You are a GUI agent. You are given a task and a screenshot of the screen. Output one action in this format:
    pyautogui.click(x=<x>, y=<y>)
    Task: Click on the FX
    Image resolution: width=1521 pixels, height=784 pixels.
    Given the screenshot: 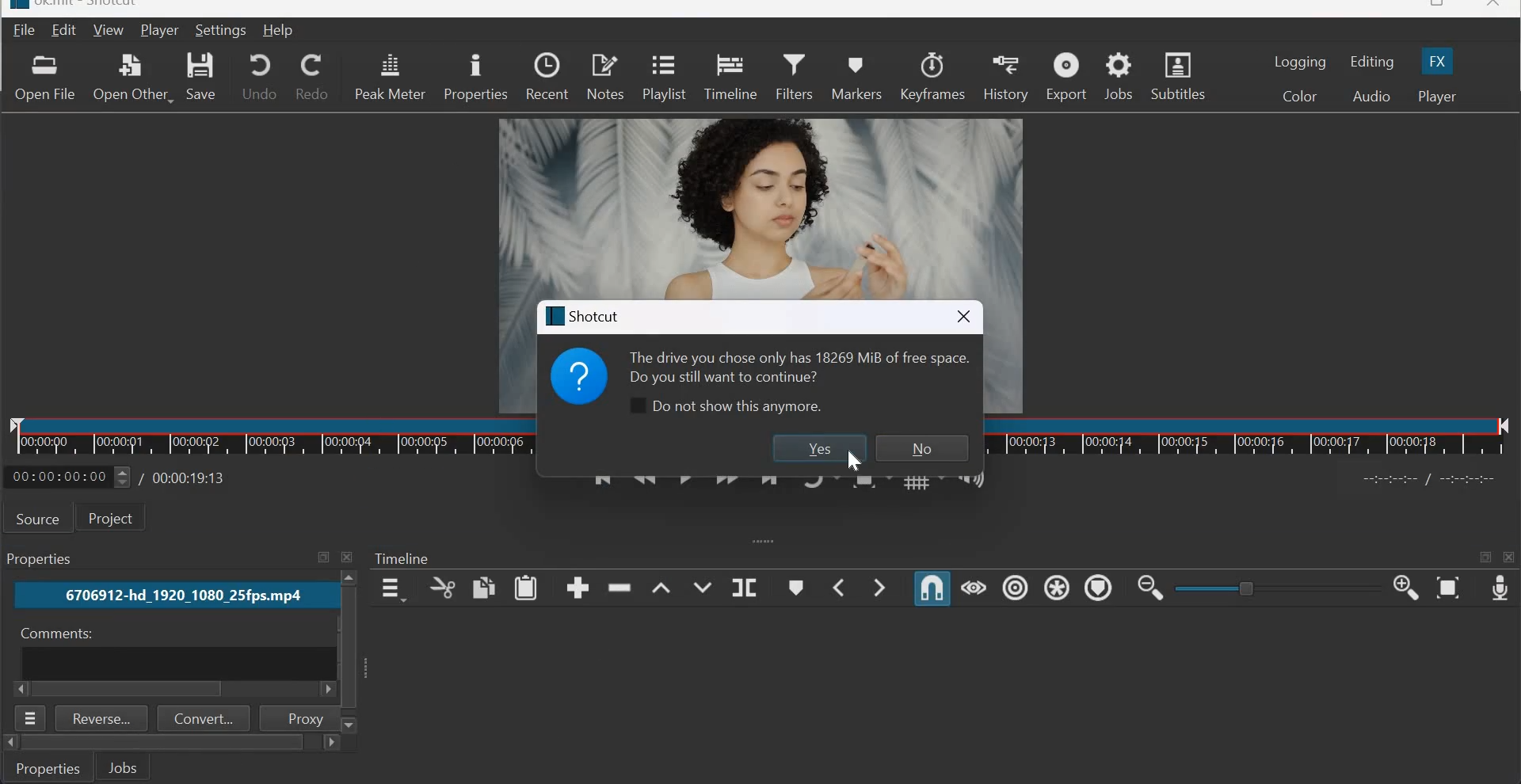 What is the action you would take?
    pyautogui.click(x=1439, y=59)
    